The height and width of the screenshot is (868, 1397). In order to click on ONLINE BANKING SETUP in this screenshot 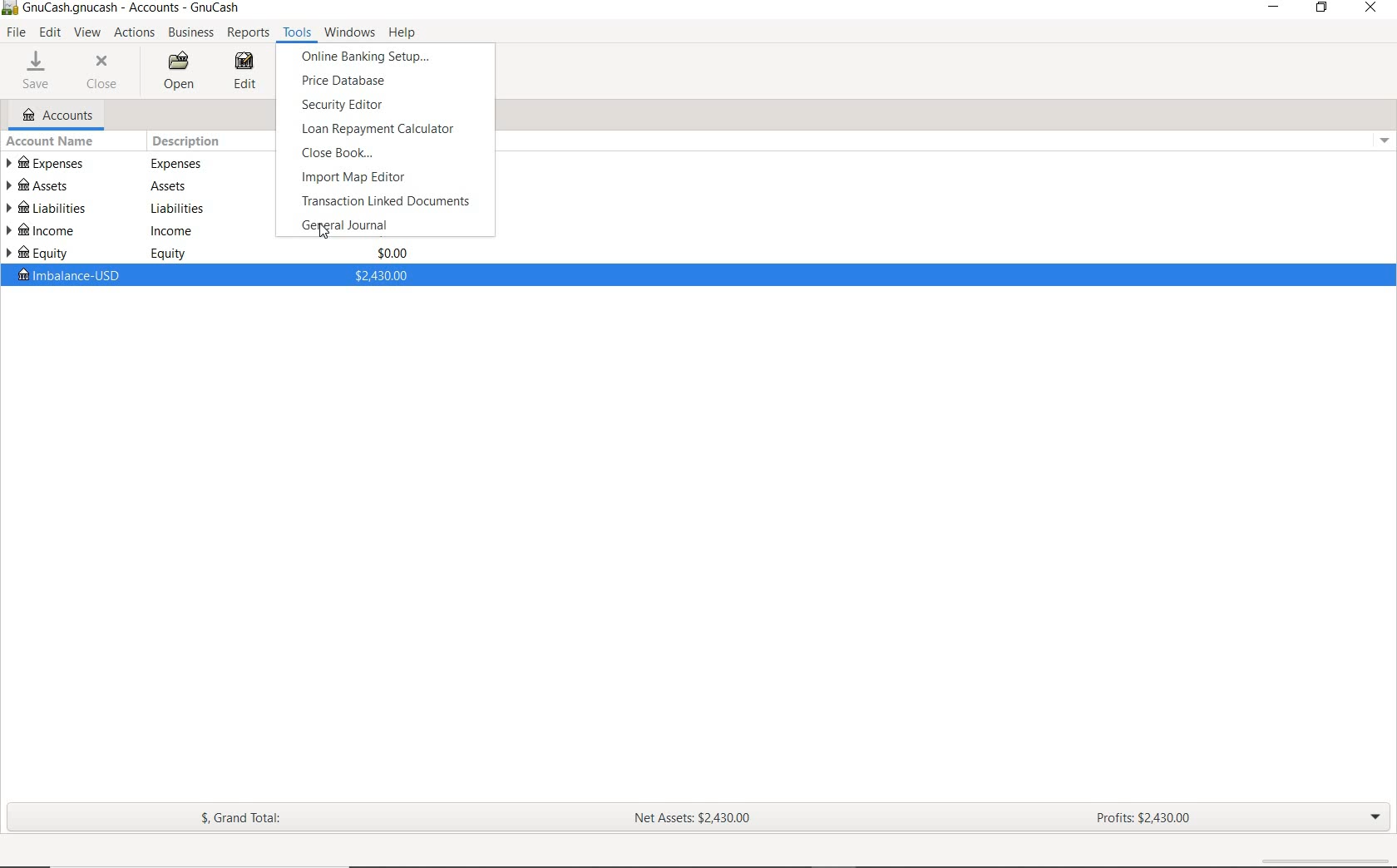, I will do `click(373, 57)`.